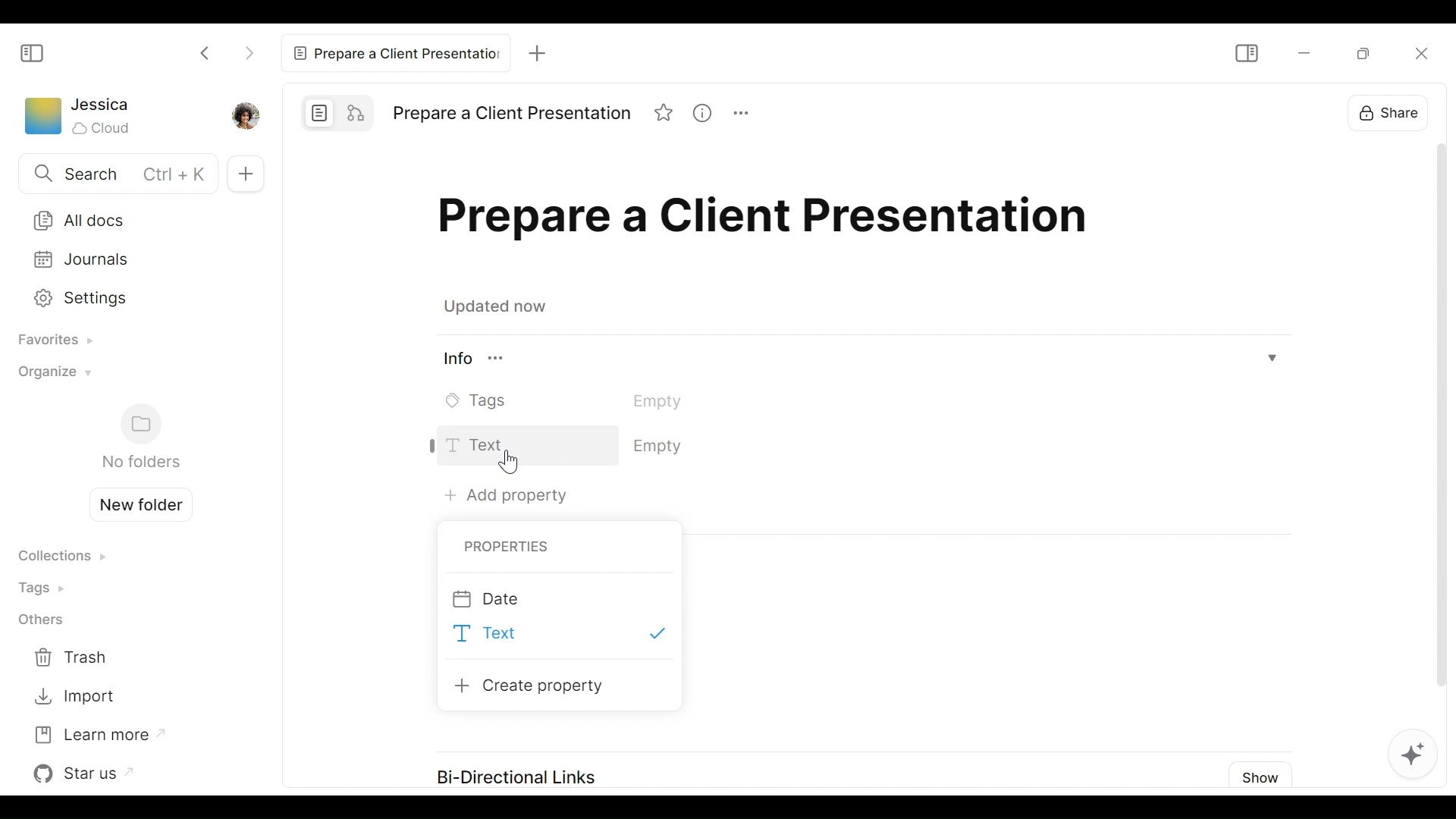 Image resolution: width=1456 pixels, height=819 pixels. I want to click on Click to go Forward, so click(249, 50).